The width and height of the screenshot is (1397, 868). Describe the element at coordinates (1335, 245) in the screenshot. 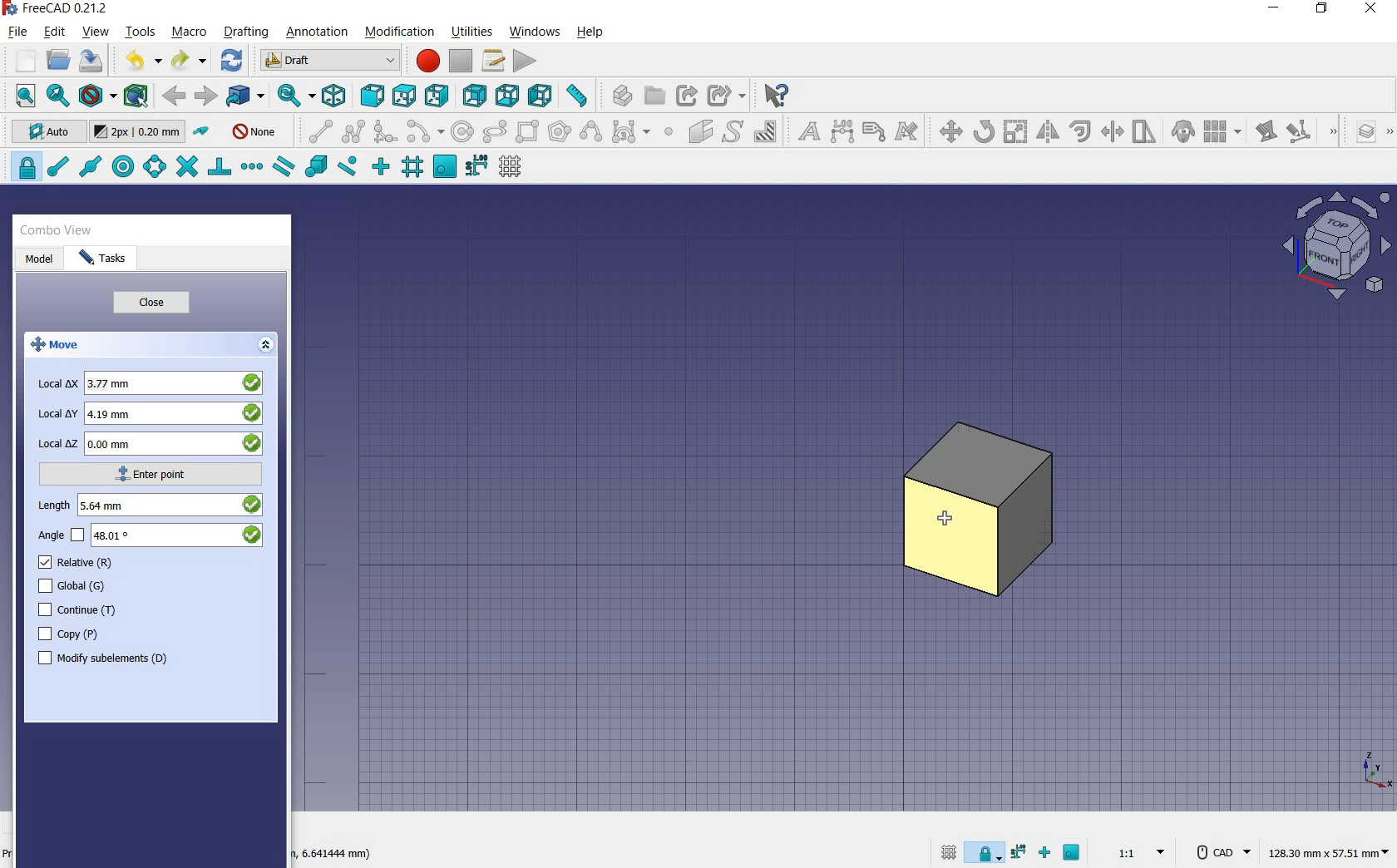

I see `view plane options` at that location.